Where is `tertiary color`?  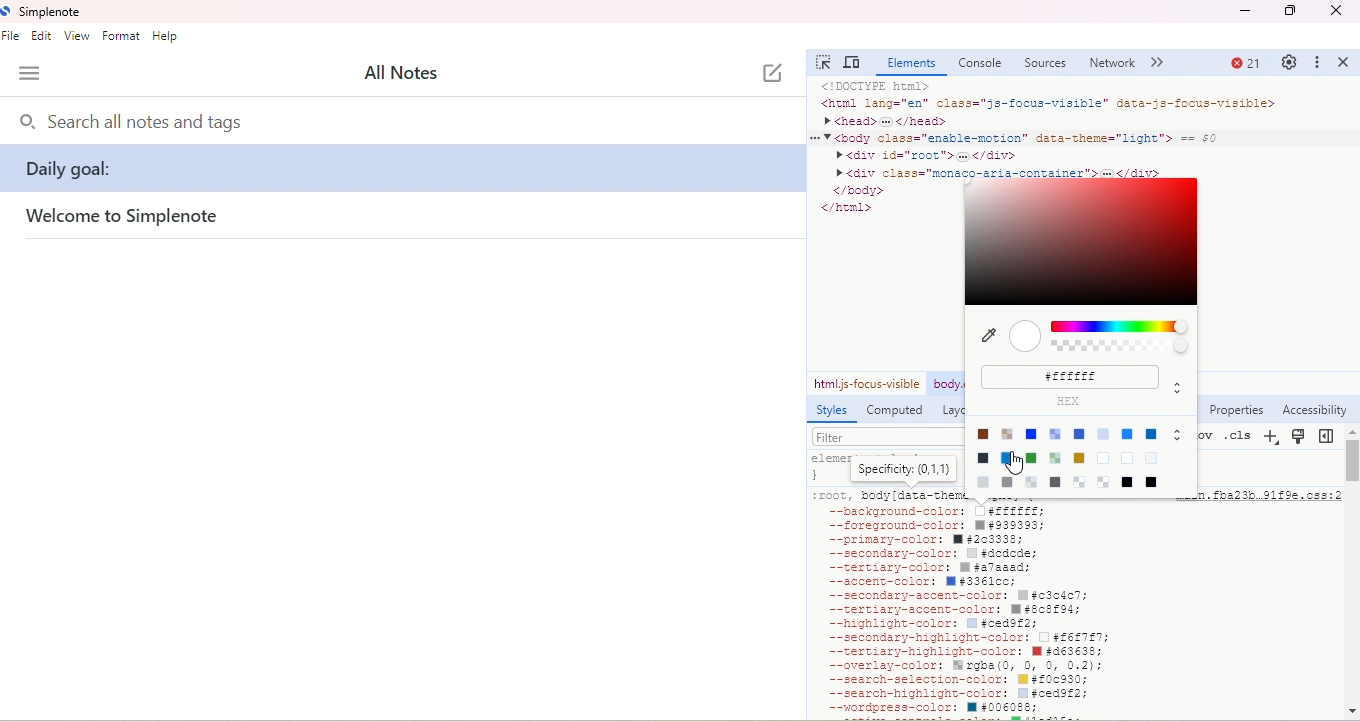
tertiary color is located at coordinates (926, 568).